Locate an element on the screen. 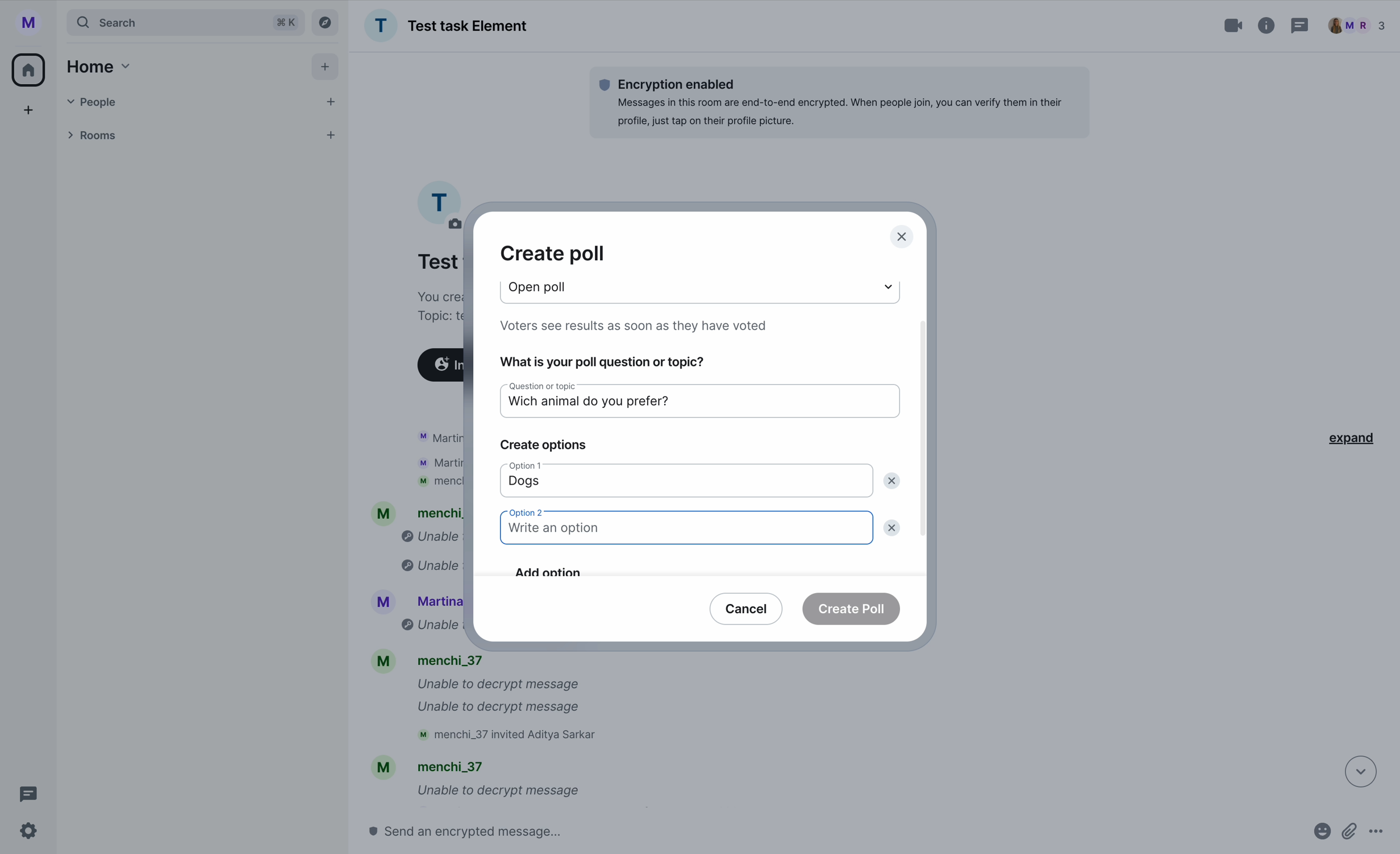 The width and height of the screenshot is (1400, 854). more options is located at coordinates (1382, 836).